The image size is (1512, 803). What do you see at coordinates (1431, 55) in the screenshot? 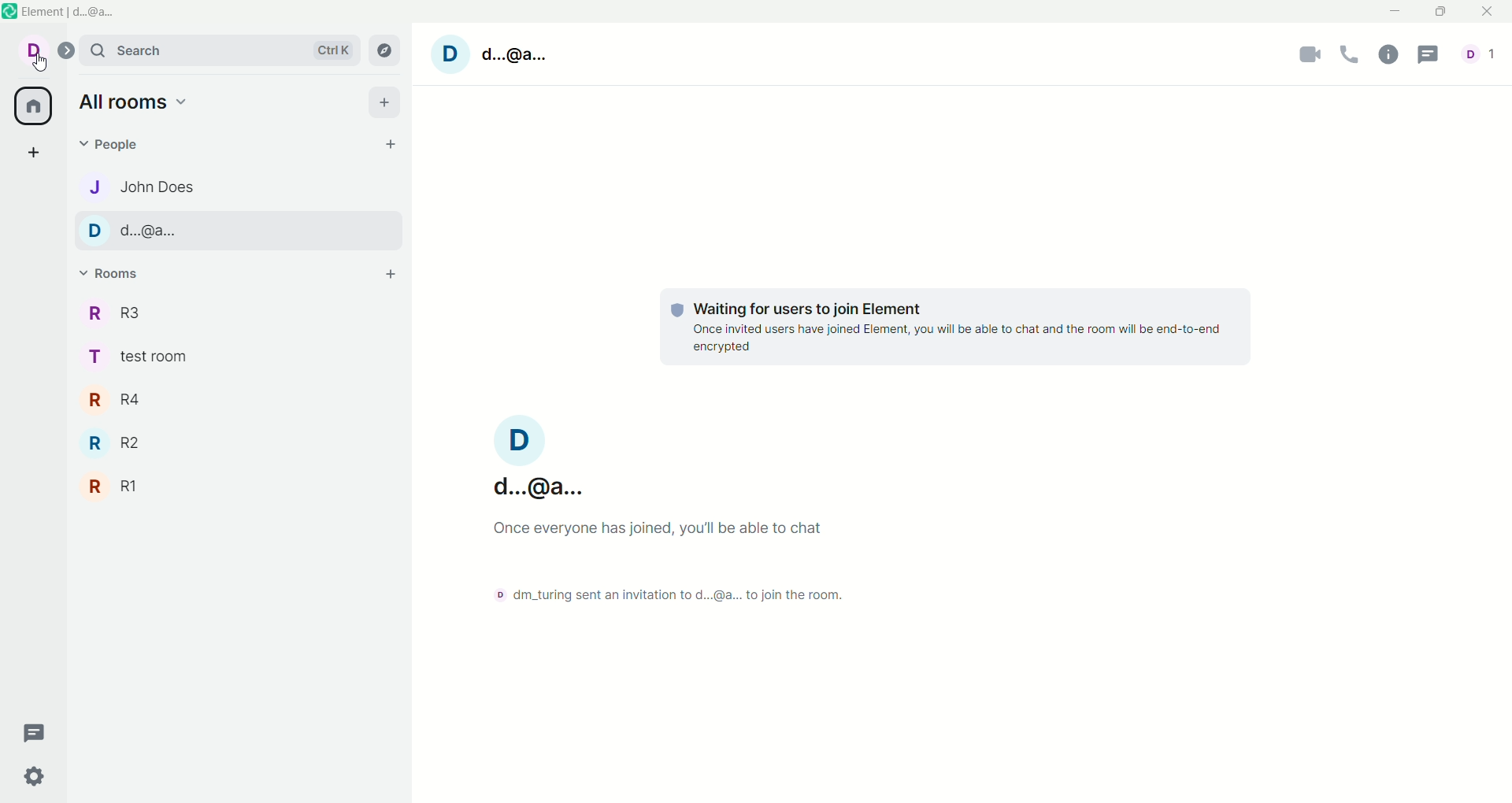
I see `threads` at bounding box center [1431, 55].